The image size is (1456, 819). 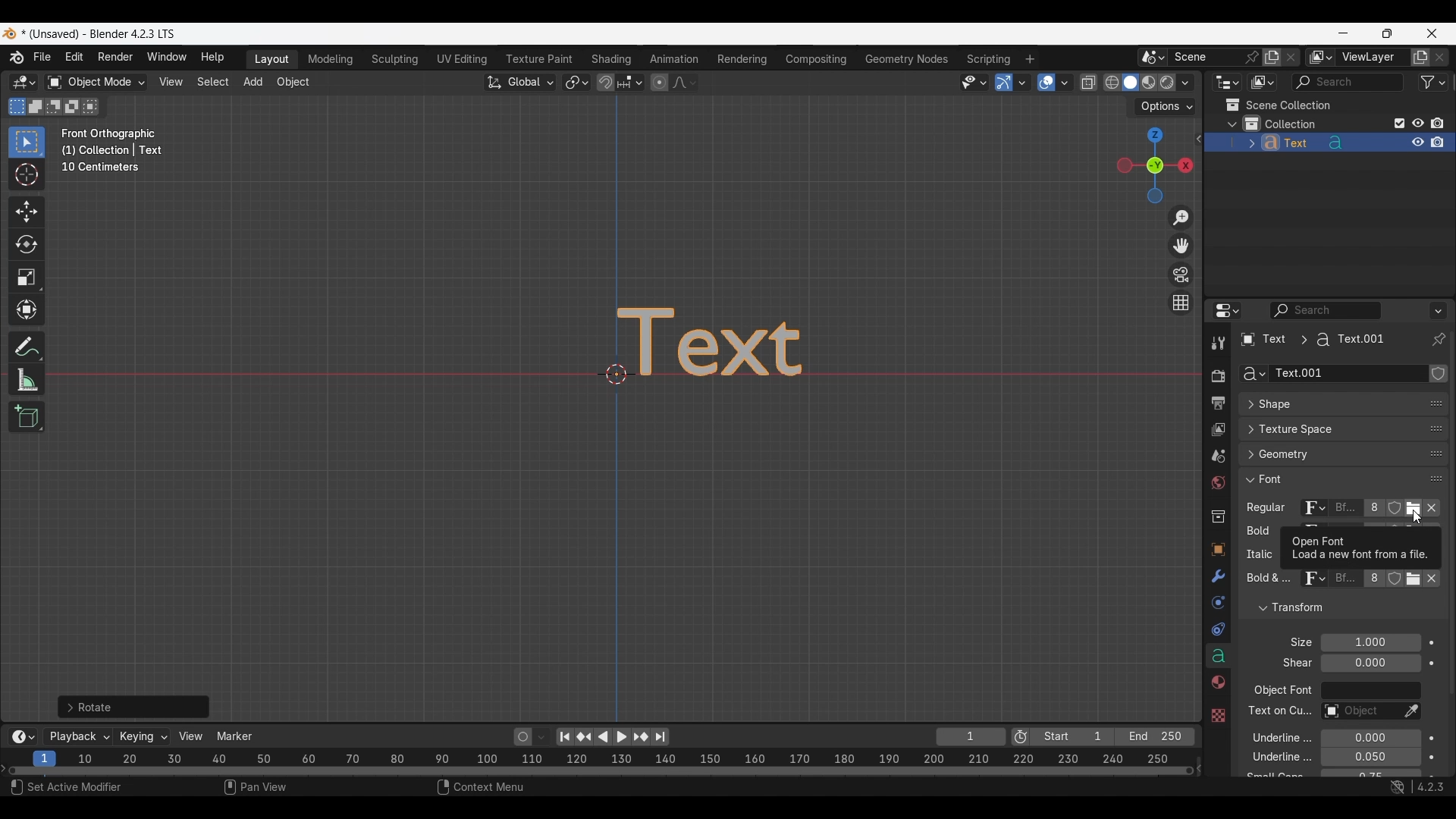 I want to click on pan view, so click(x=273, y=789).